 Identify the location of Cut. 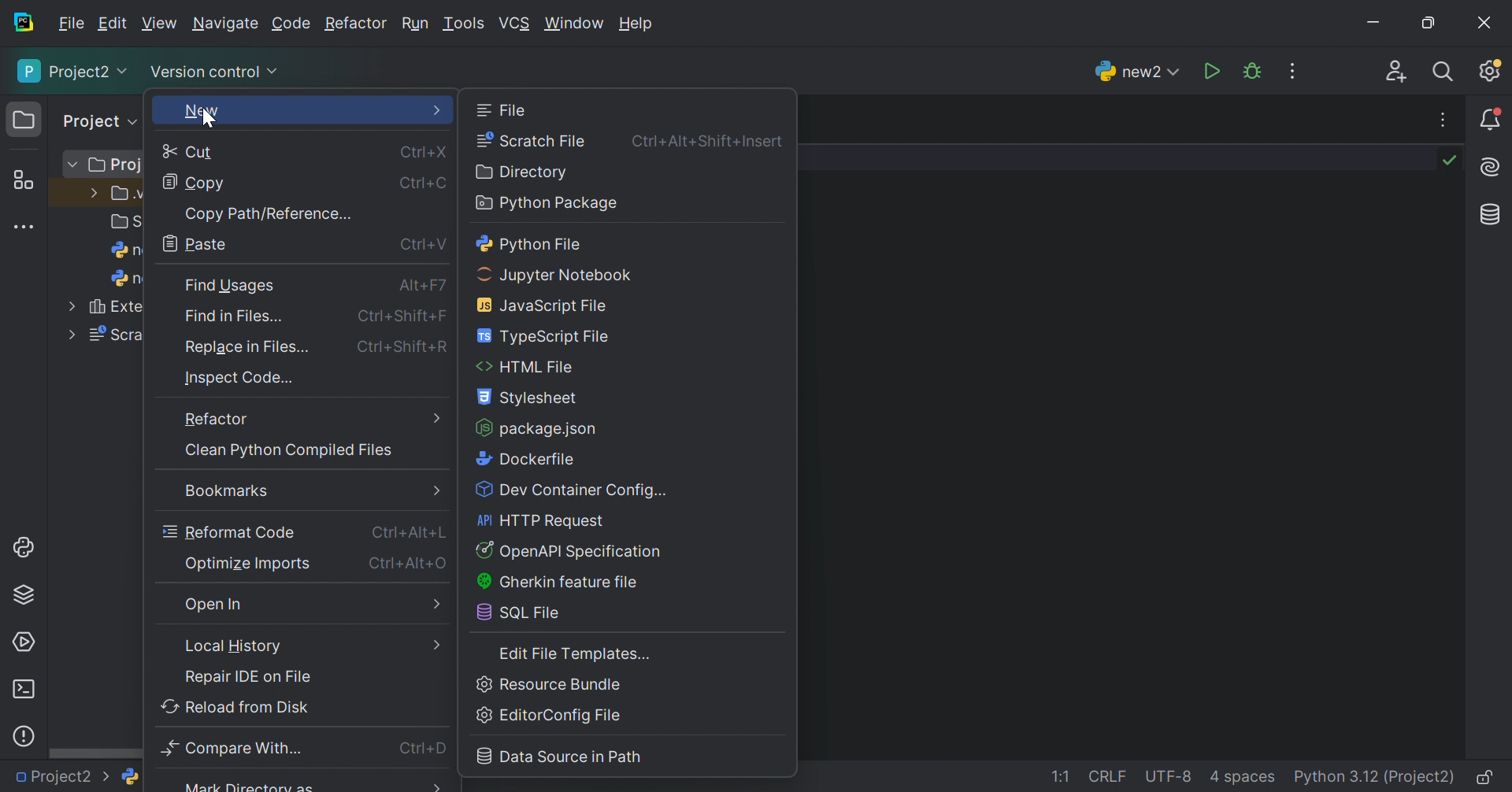
(193, 154).